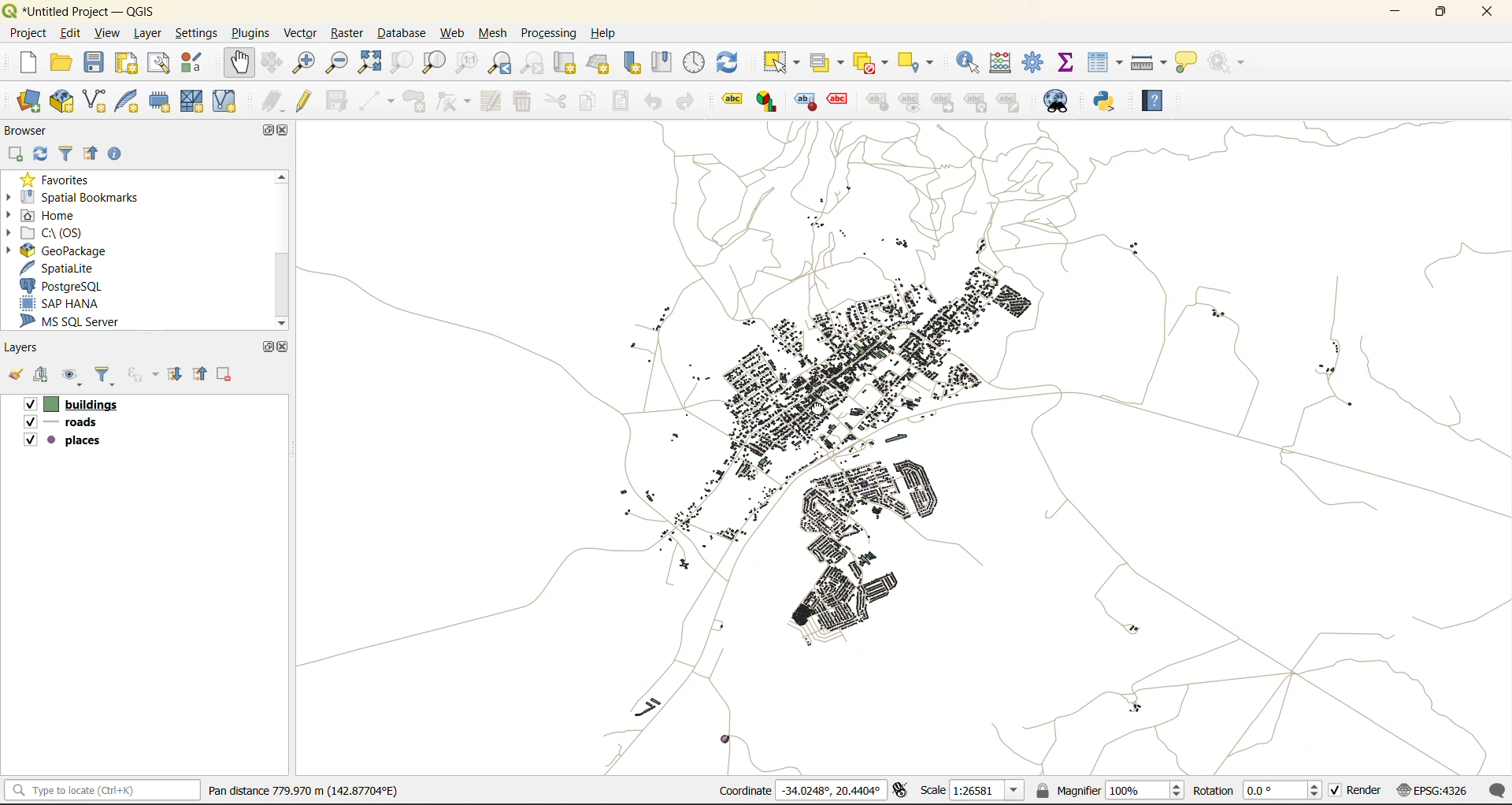 Image resolution: width=1512 pixels, height=805 pixels. What do you see at coordinates (979, 102) in the screenshot?
I see `Hierarchy` at bounding box center [979, 102].